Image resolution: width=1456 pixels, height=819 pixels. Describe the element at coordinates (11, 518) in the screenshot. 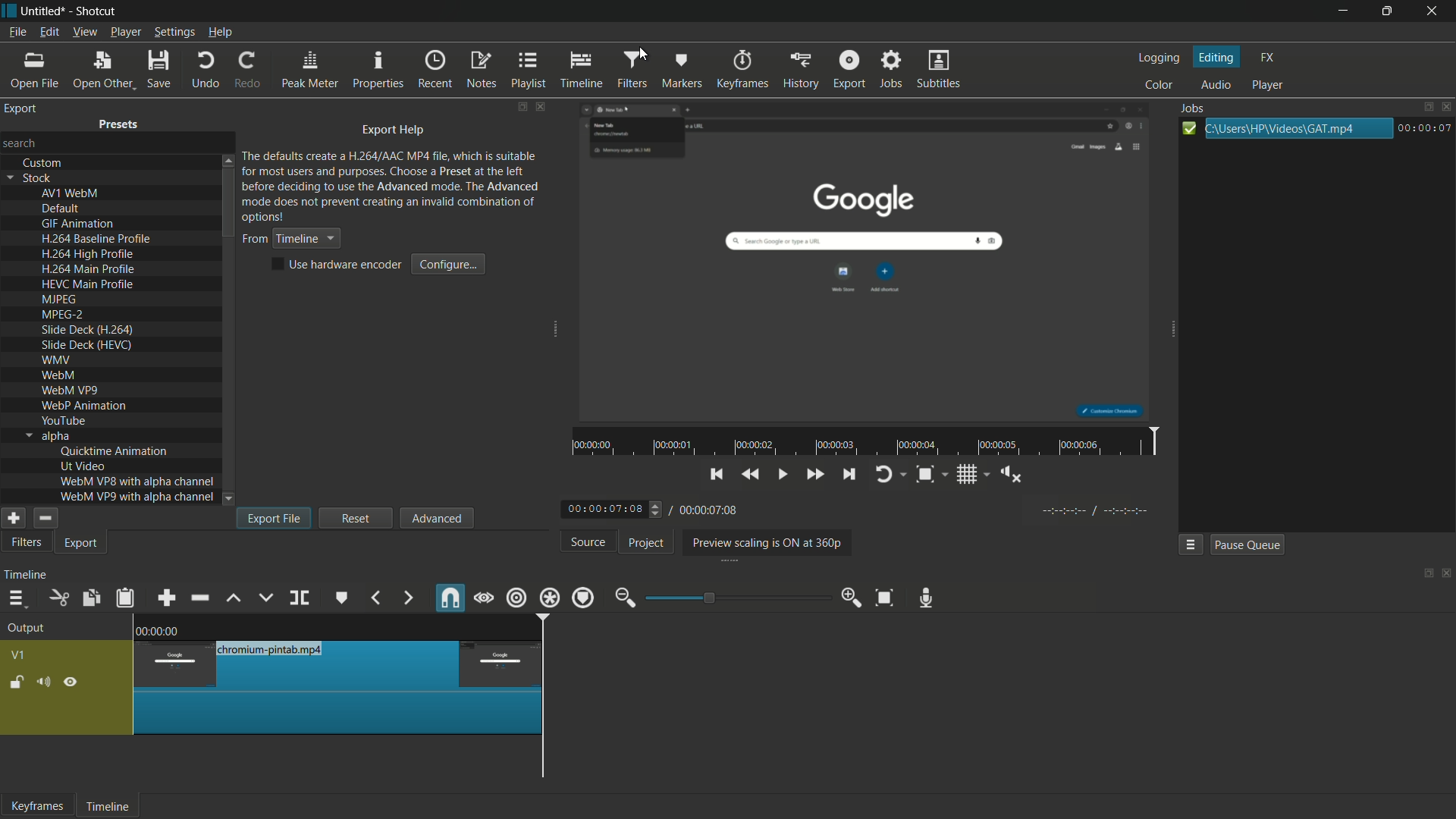

I see `add` at that location.